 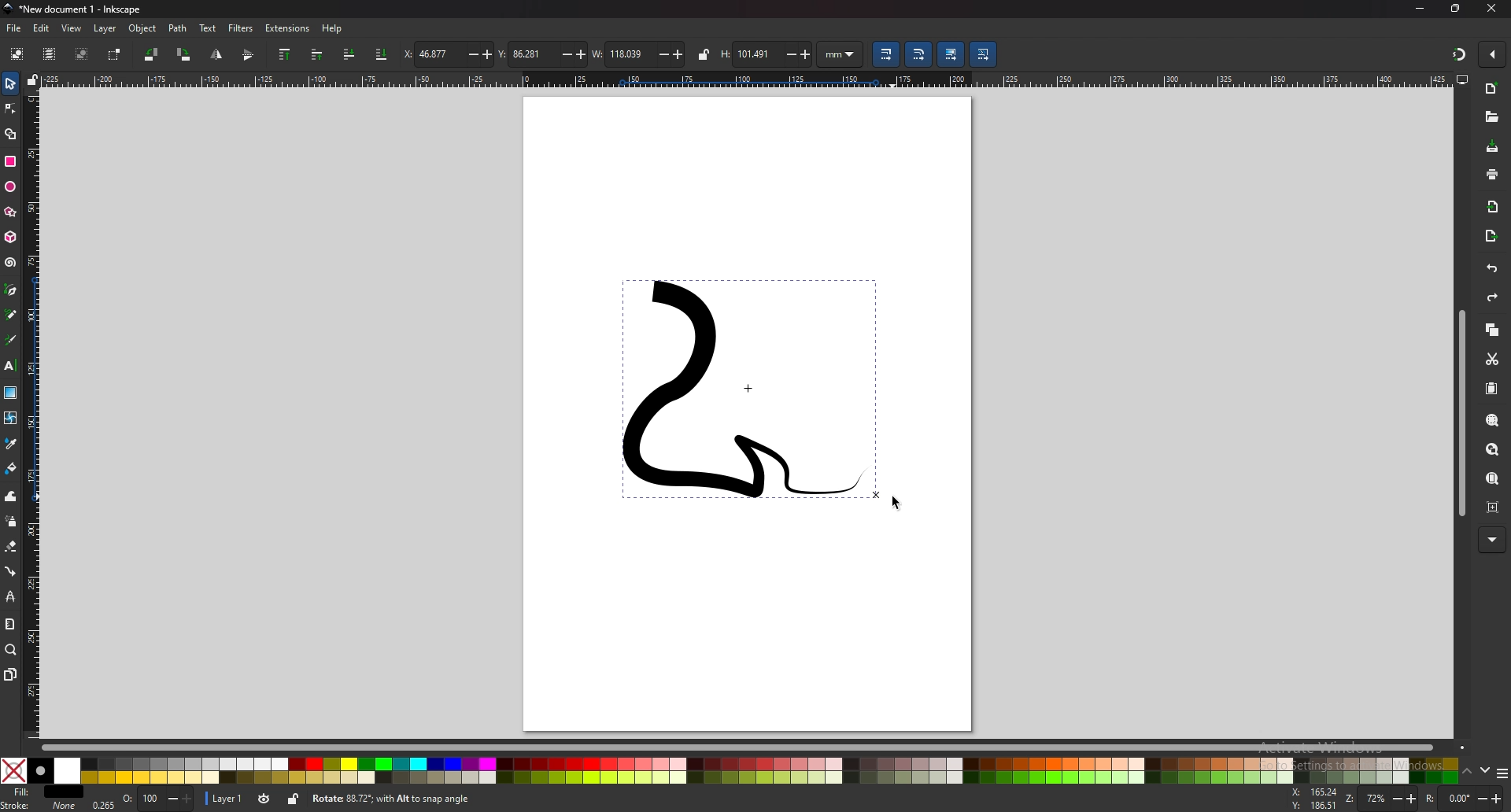 What do you see at coordinates (1491, 419) in the screenshot?
I see `zoom selection` at bounding box center [1491, 419].